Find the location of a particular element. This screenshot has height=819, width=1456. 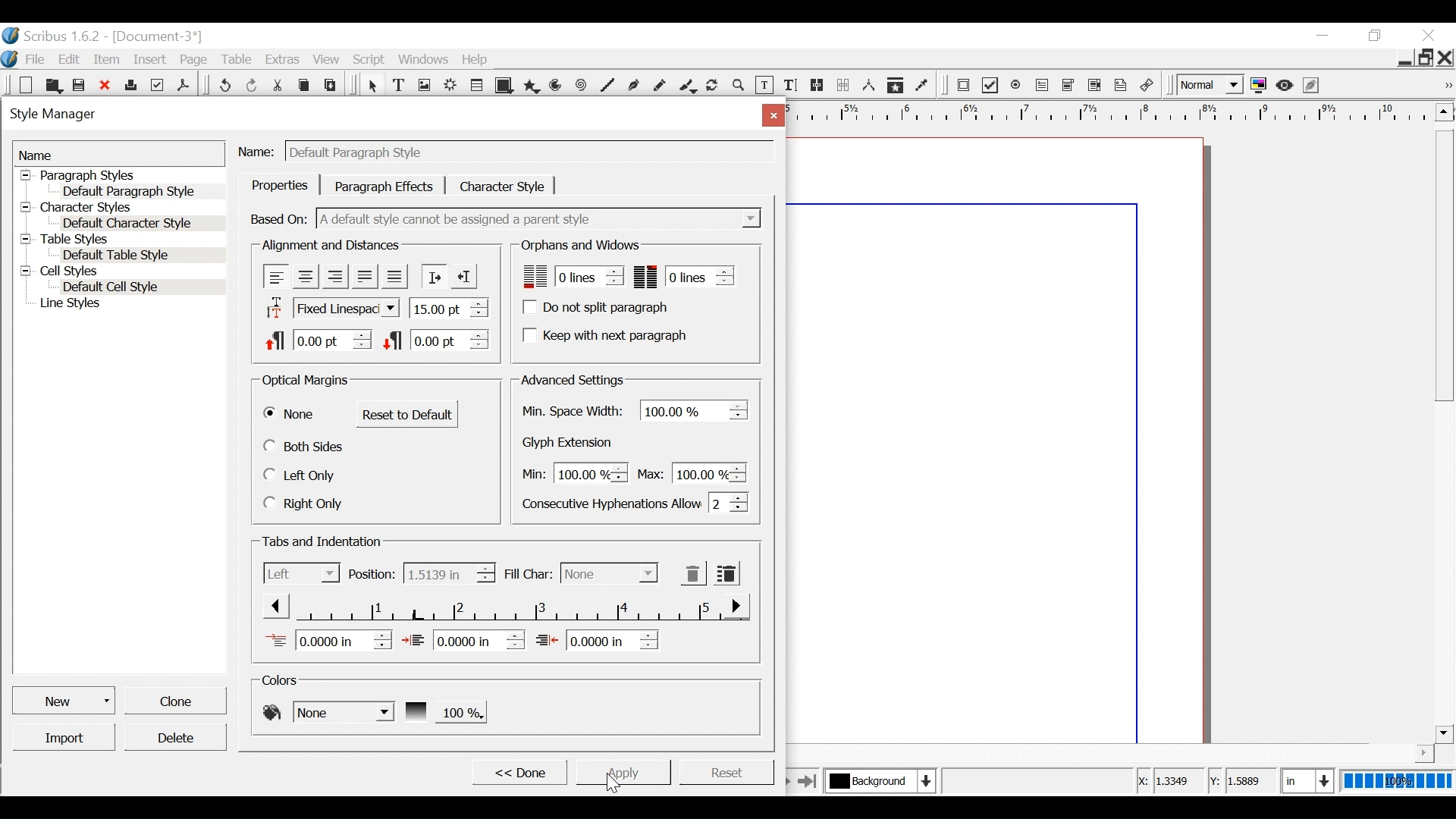

PDF Checkbox is located at coordinates (990, 86).